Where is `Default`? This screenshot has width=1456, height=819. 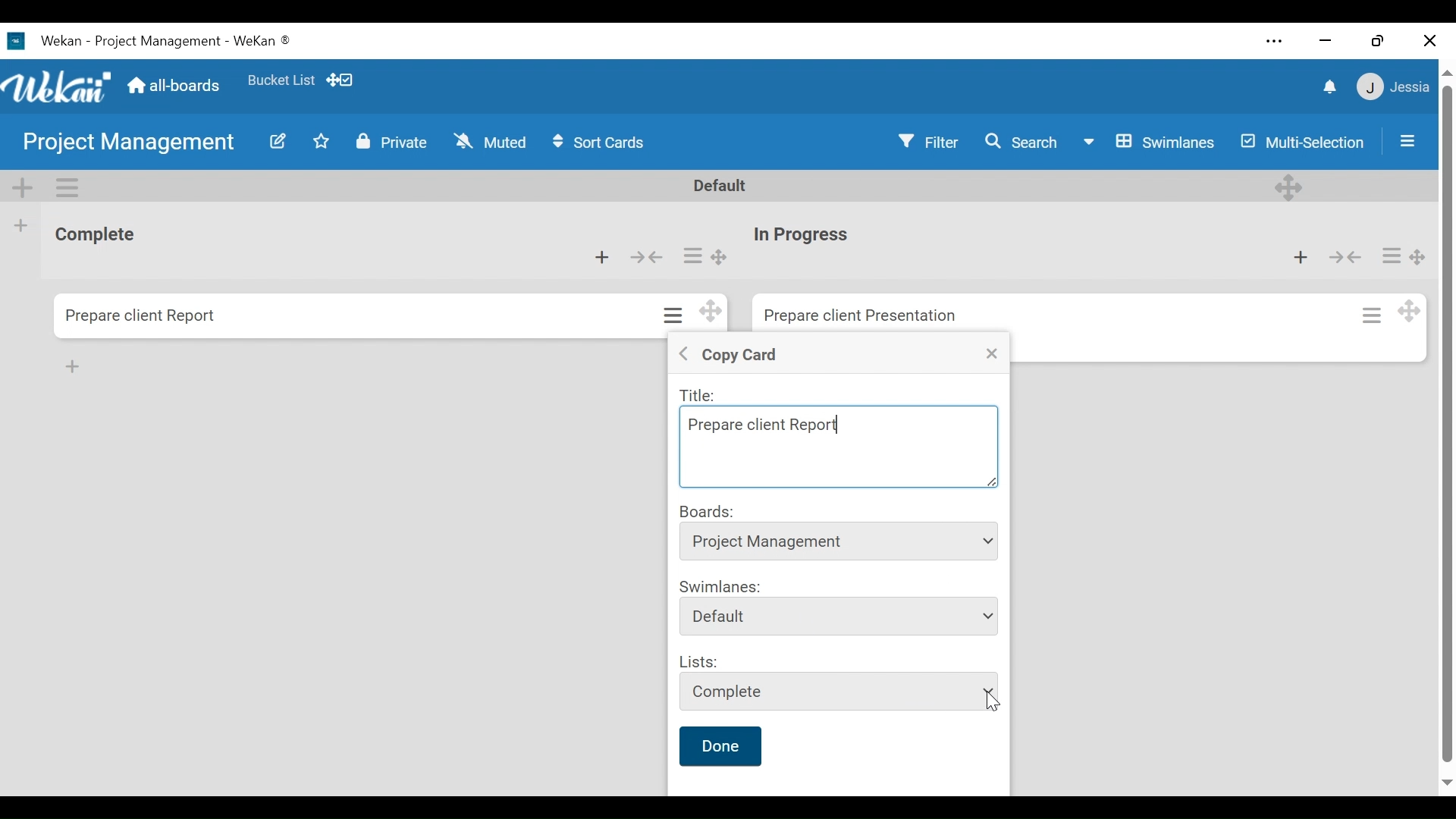 Default is located at coordinates (731, 185).